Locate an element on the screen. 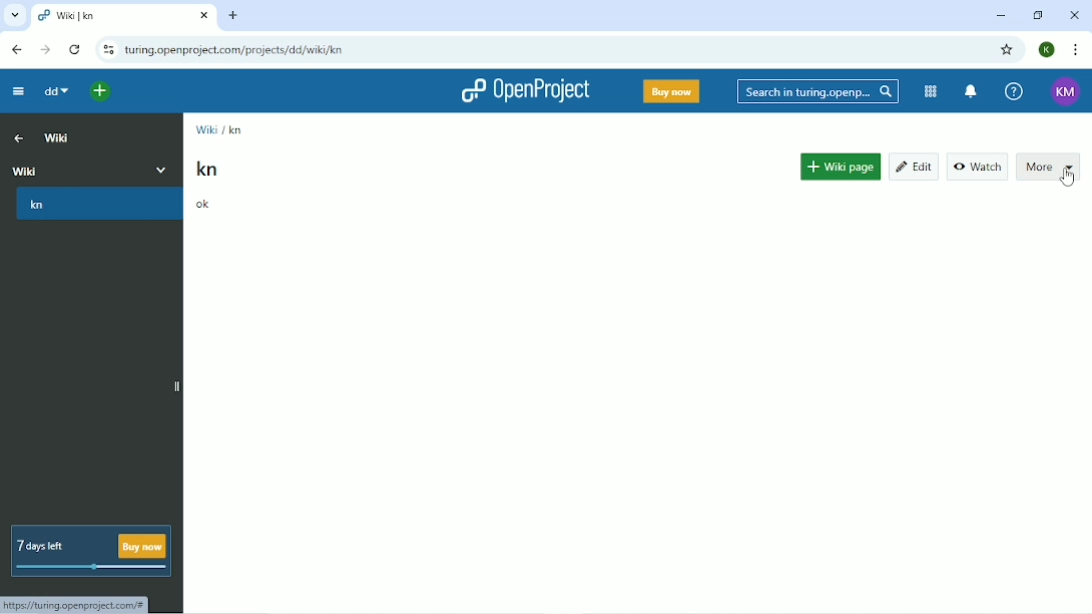 The height and width of the screenshot is (614, 1092). Link is located at coordinates (80, 602).